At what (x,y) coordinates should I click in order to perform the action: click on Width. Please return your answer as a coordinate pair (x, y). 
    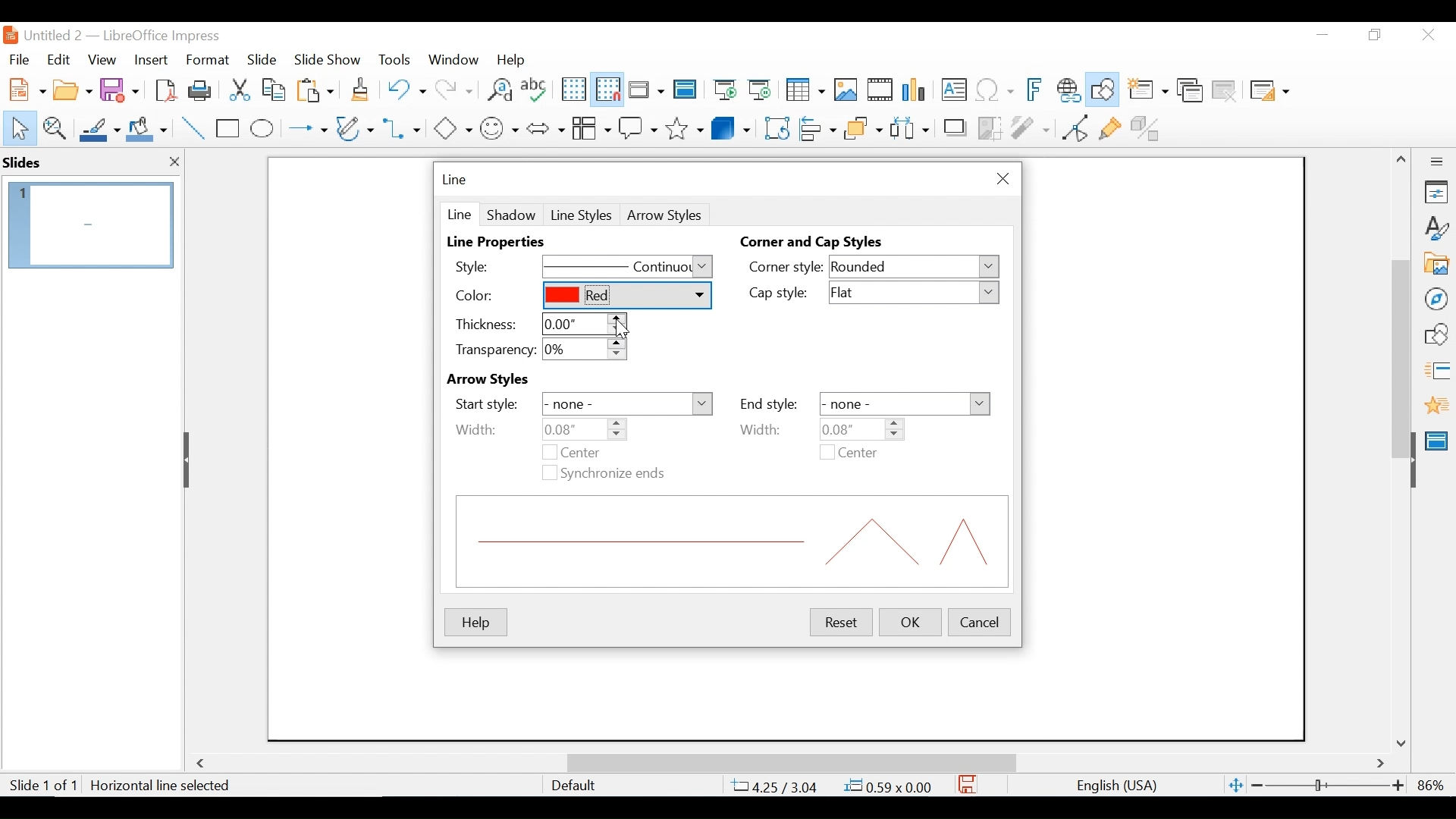
    Looking at the image, I should click on (476, 429).